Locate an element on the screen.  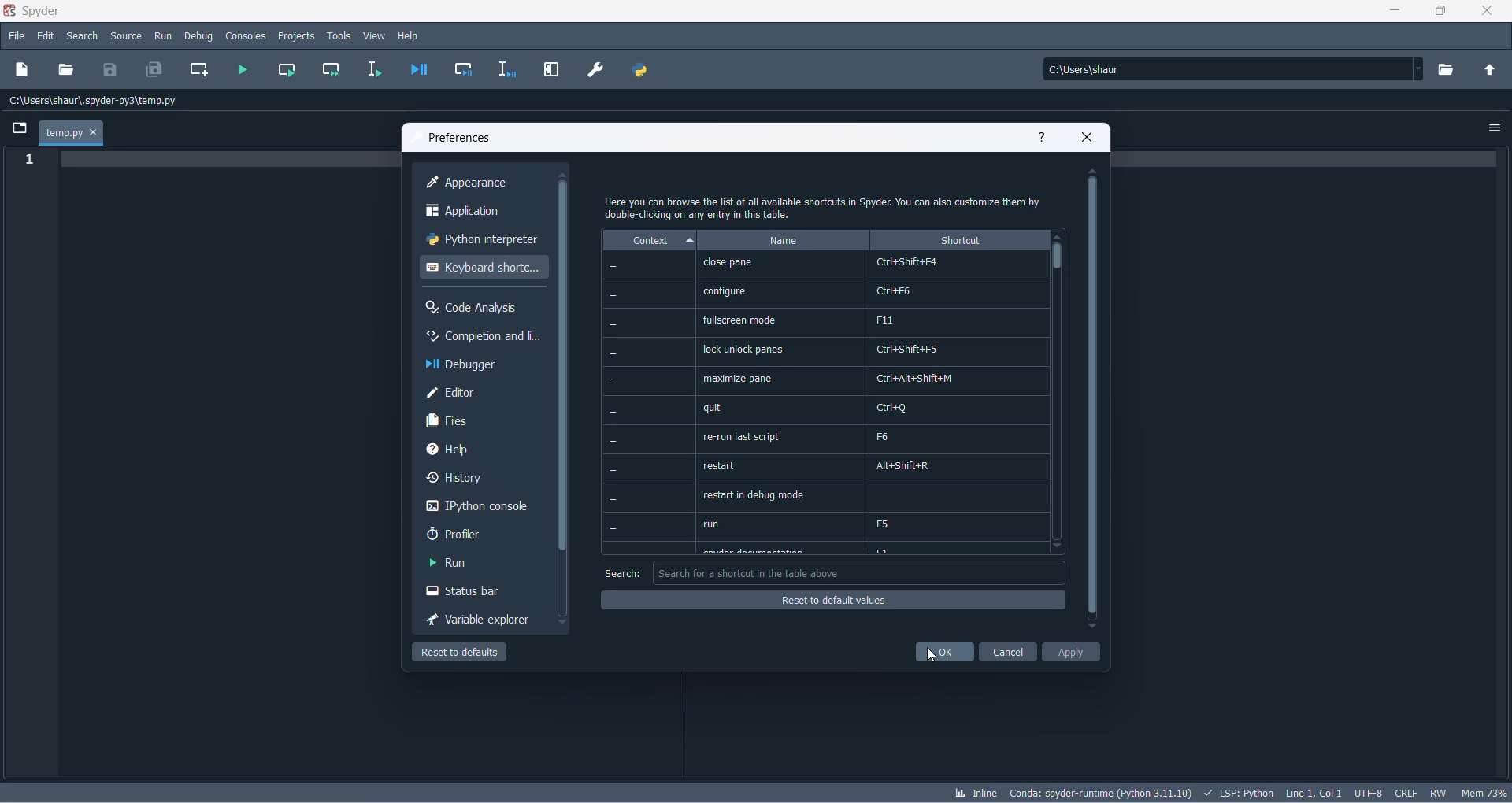
close is located at coordinates (1090, 136).